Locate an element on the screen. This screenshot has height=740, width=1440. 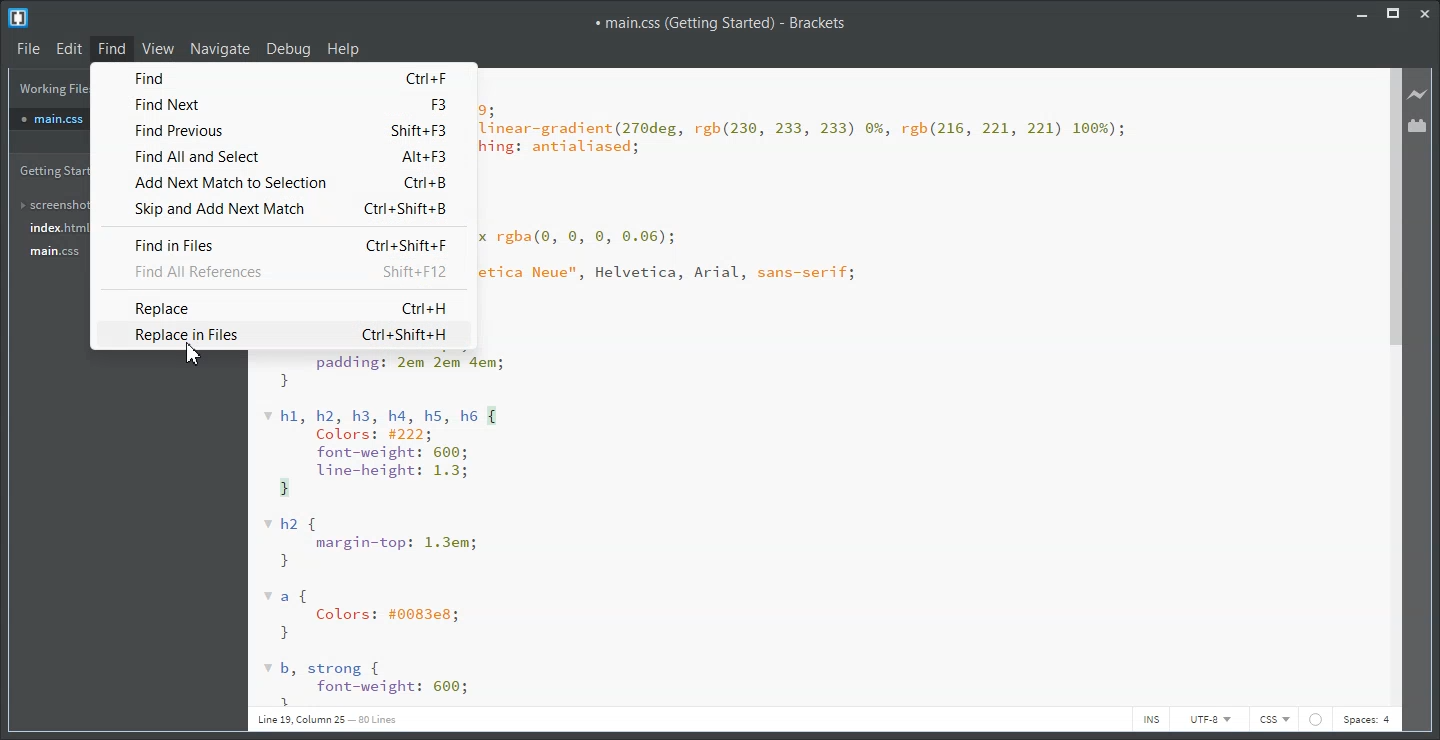
cursor is located at coordinates (201, 355).